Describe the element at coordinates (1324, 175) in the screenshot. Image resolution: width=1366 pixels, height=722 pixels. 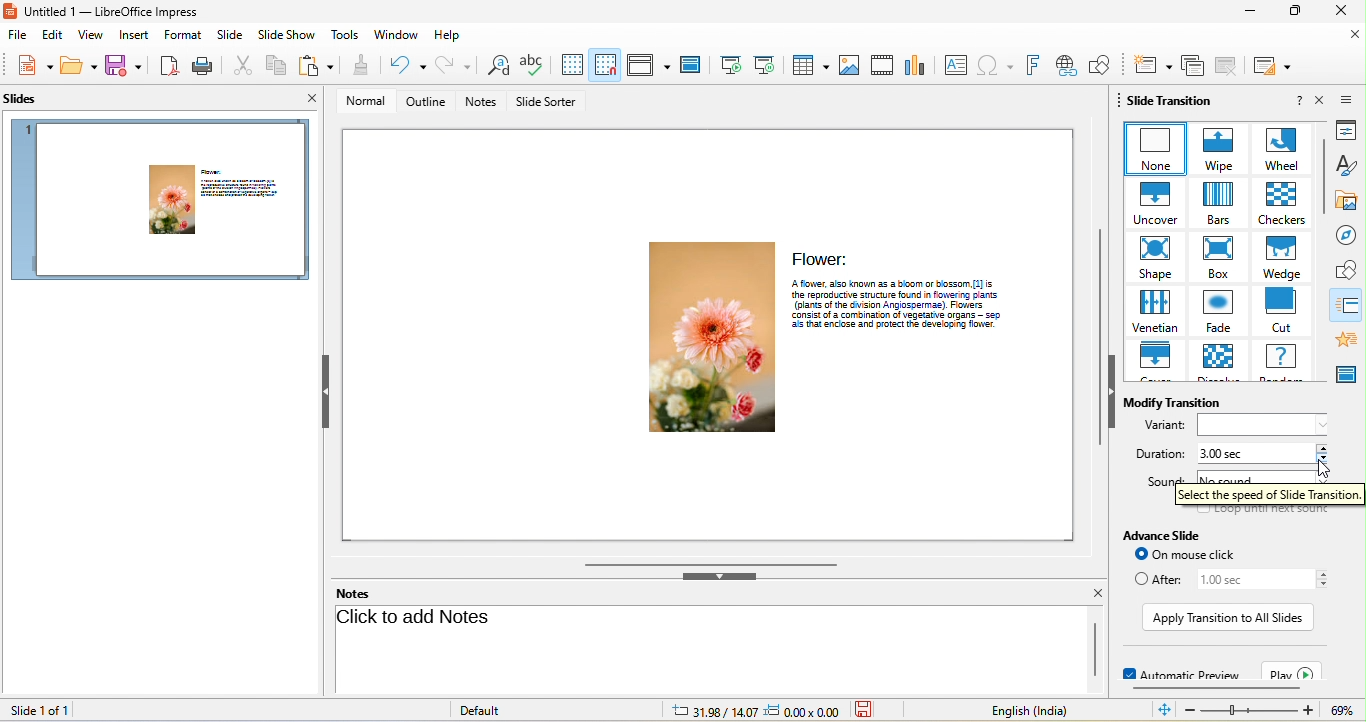
I see `vertical scroll bar` at that location.